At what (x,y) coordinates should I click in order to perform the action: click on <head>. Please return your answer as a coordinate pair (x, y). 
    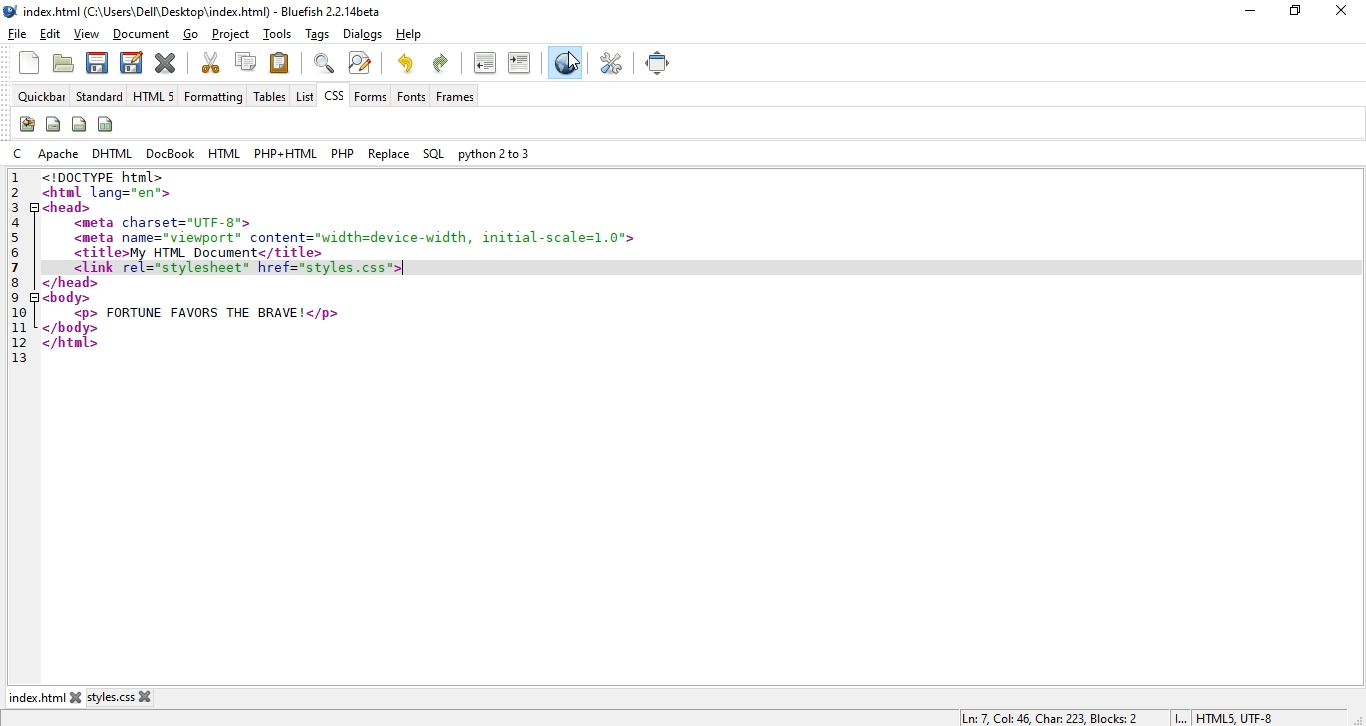
    Looking at the image, I should click on (68, 207).